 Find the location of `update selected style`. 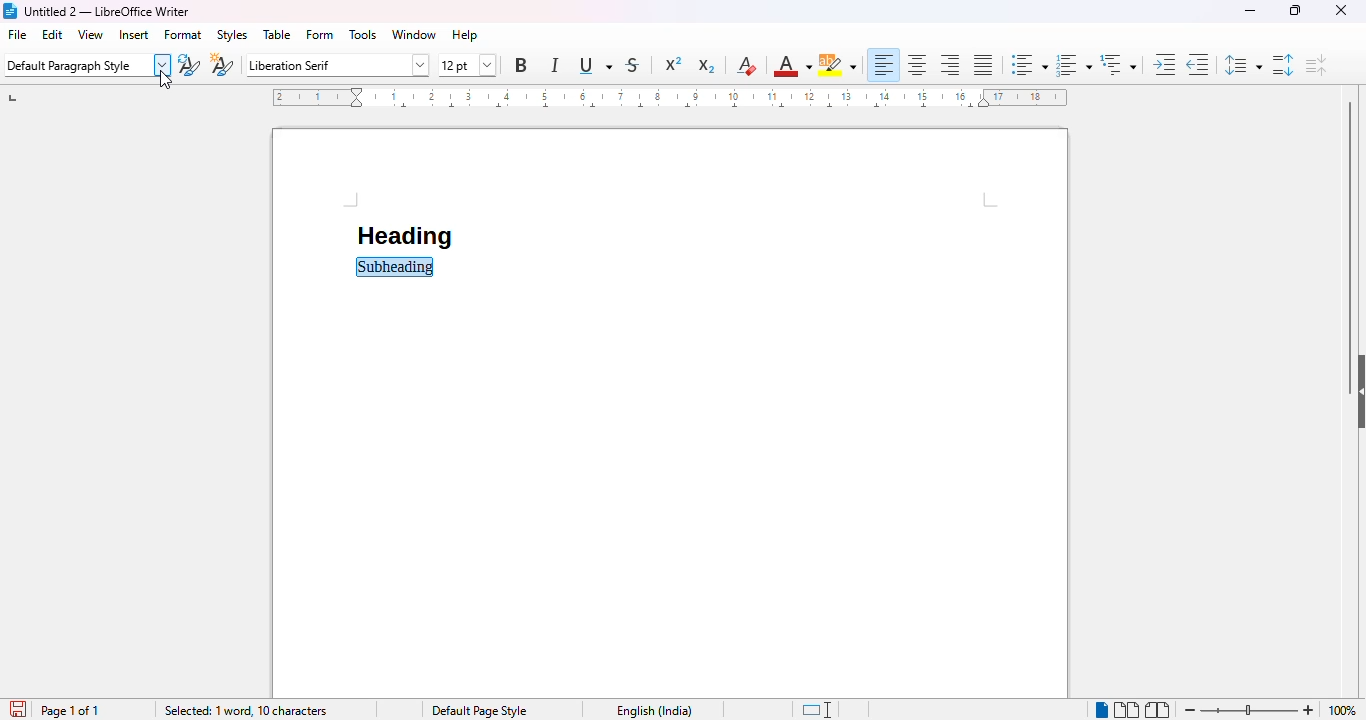

update selected style is located at coordinates (189, 66).